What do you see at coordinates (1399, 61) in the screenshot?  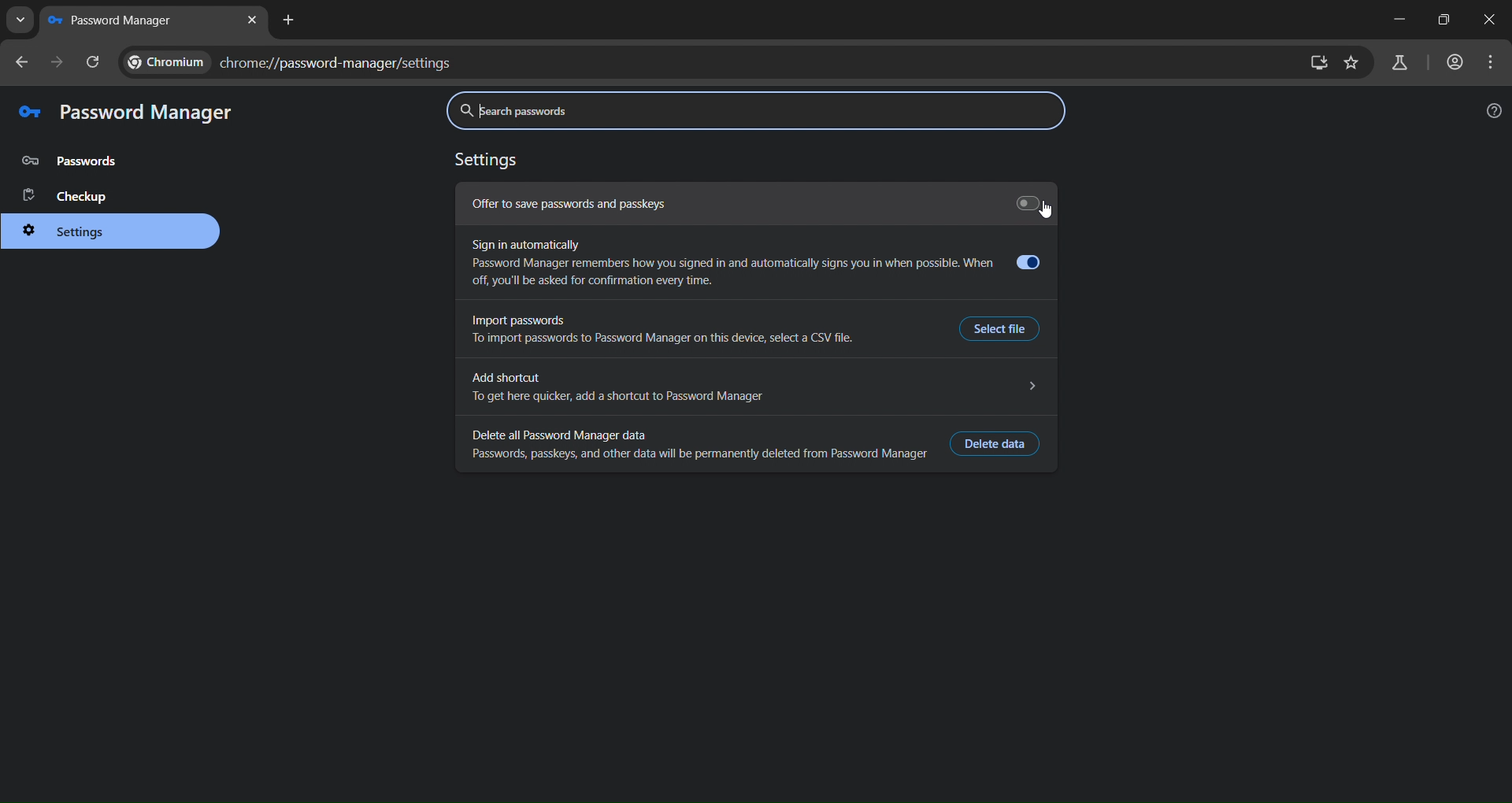 I see `search labs` at bounding box center [1399, 61].